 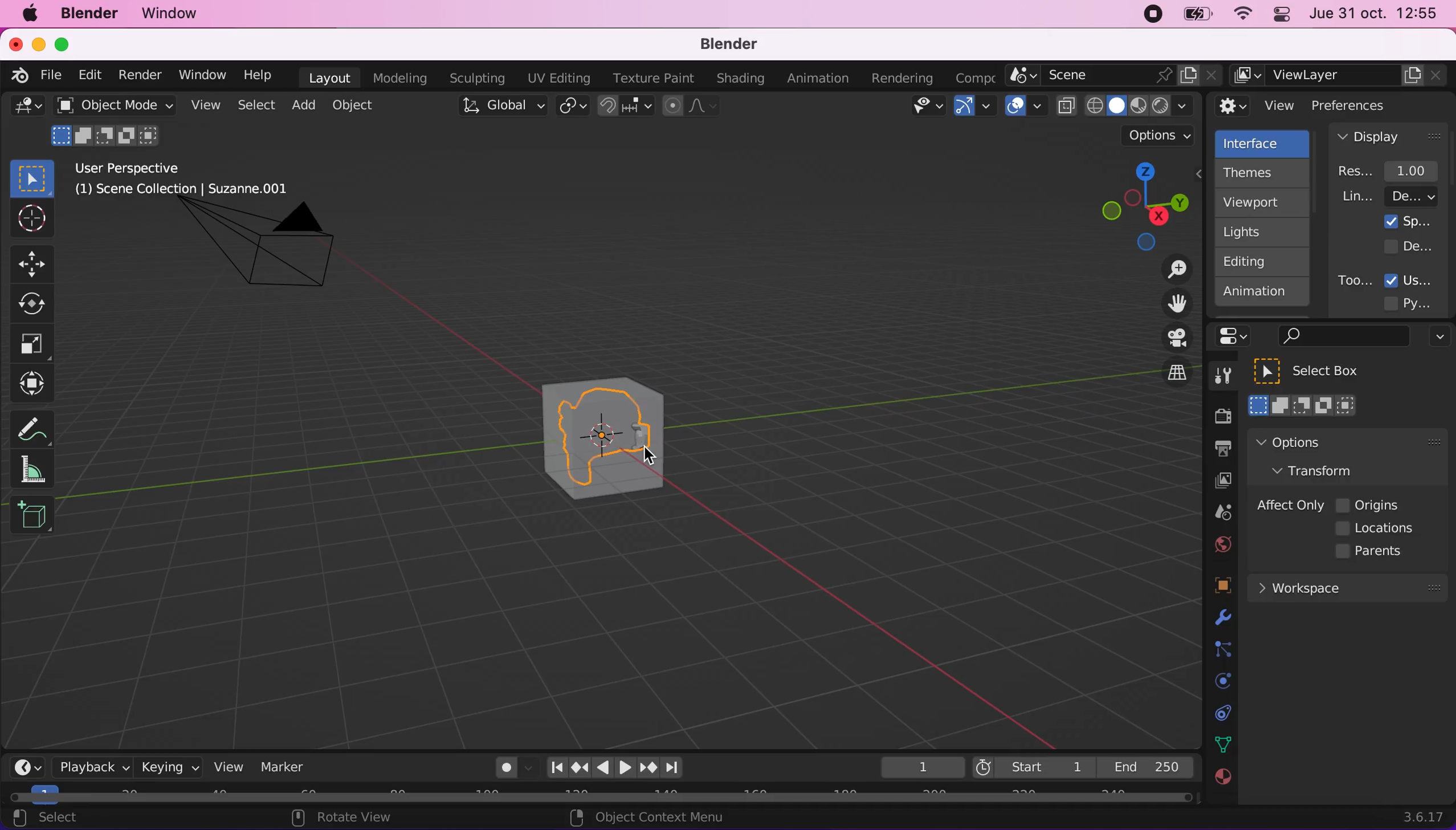 What do you see at coordinates (49, 75) in the screenshot?
I see `file` at bounding box center [49, 75].